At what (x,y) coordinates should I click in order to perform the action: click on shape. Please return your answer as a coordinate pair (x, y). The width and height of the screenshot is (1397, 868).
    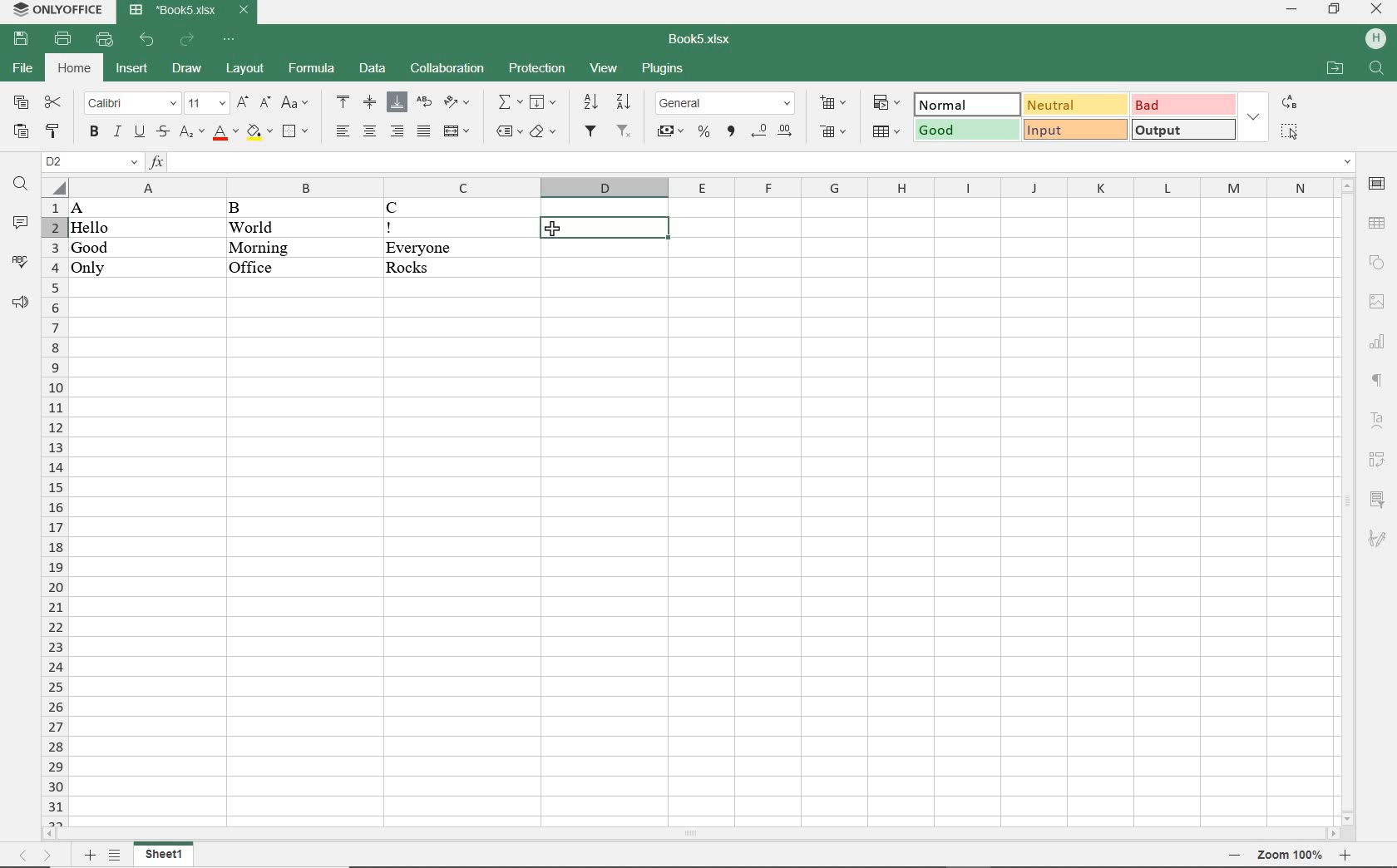
    Looking at the image, I should click on (1377, 262).